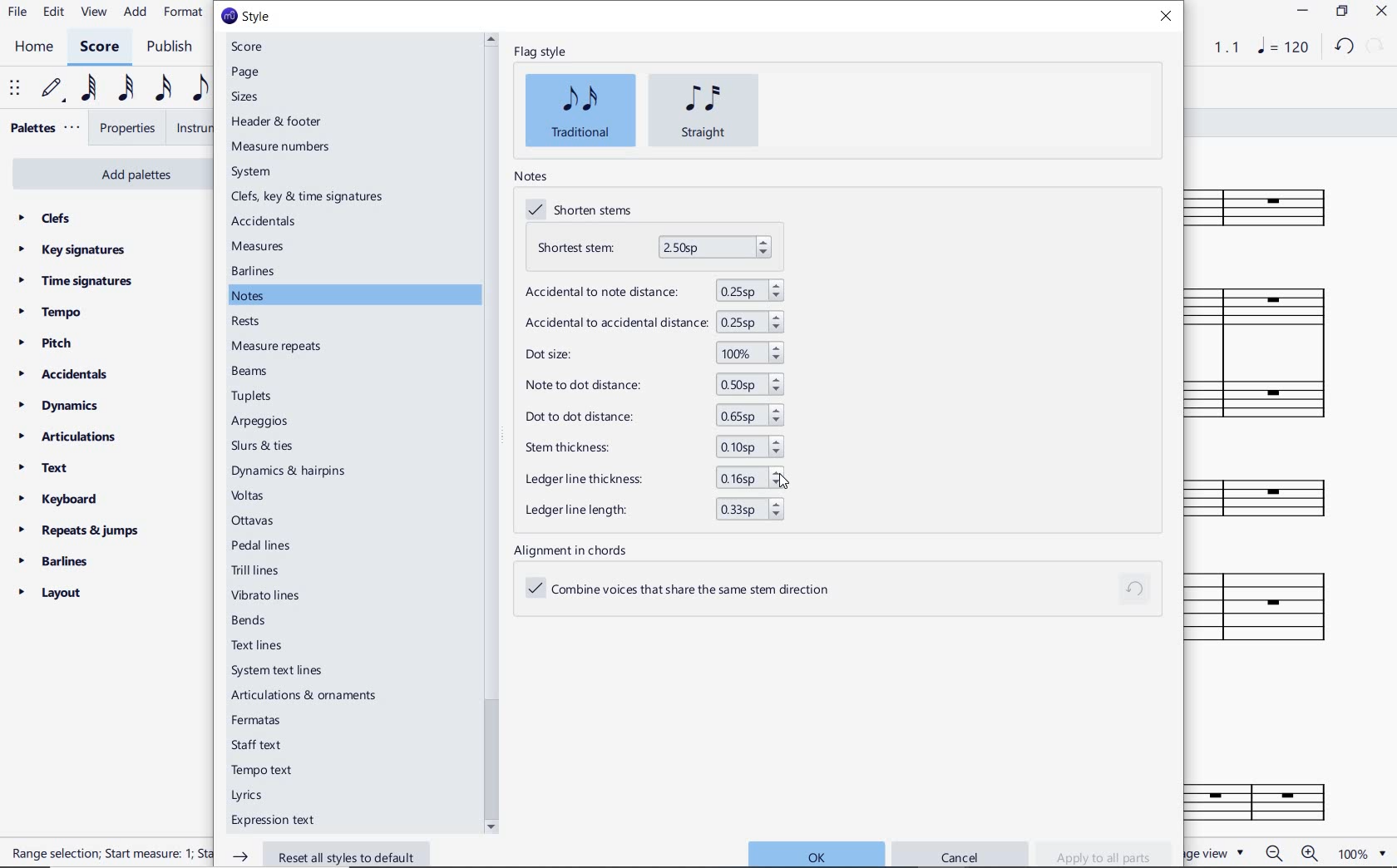 Image resolution: width=1397 pixels, height=868 pixels. What do you see at coordinates (67, 437) in the screenshot?
I see `articulations` at bounding box center [67, 437].